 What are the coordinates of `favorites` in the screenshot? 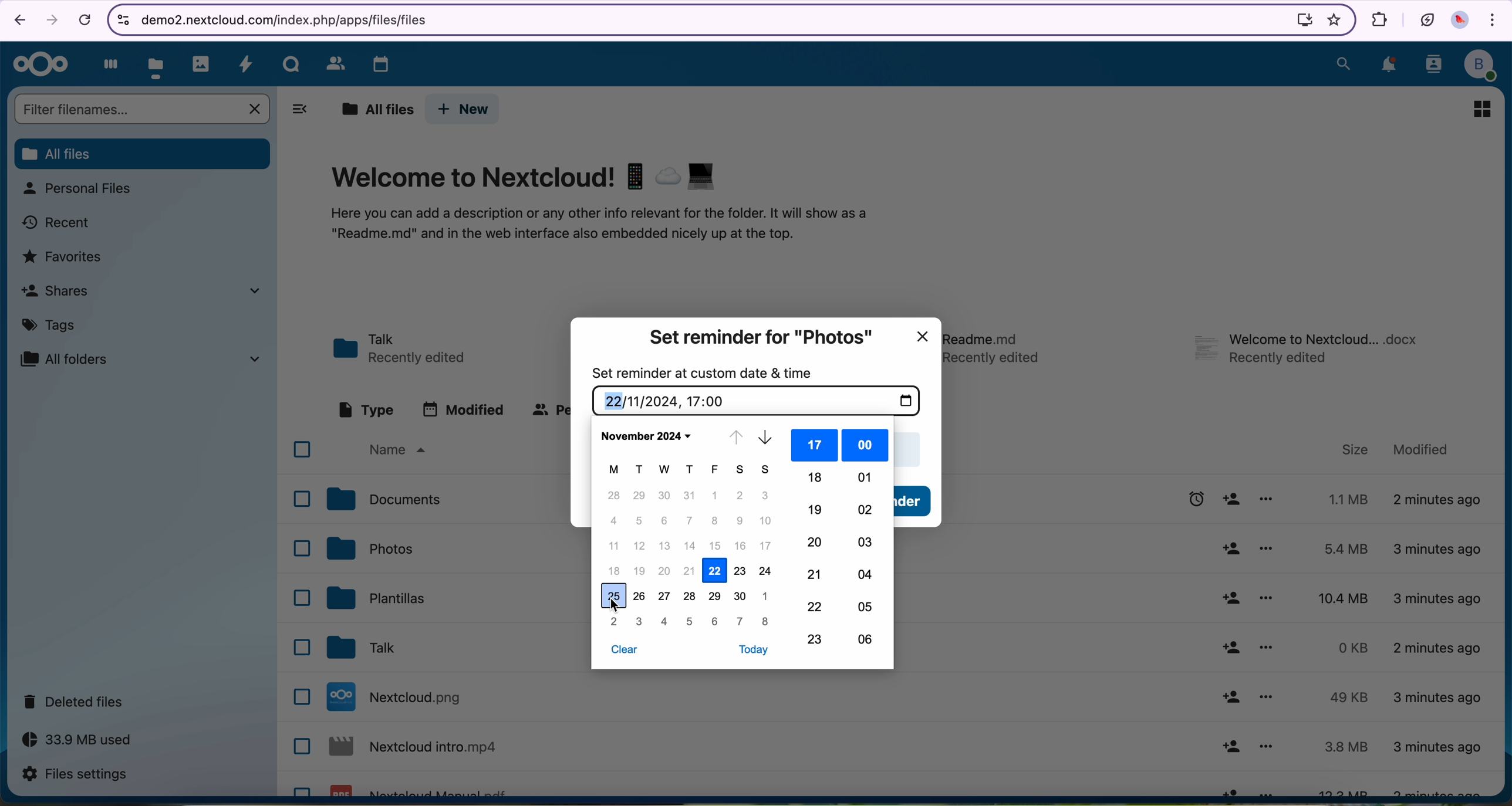 It's located at (1331, 19).